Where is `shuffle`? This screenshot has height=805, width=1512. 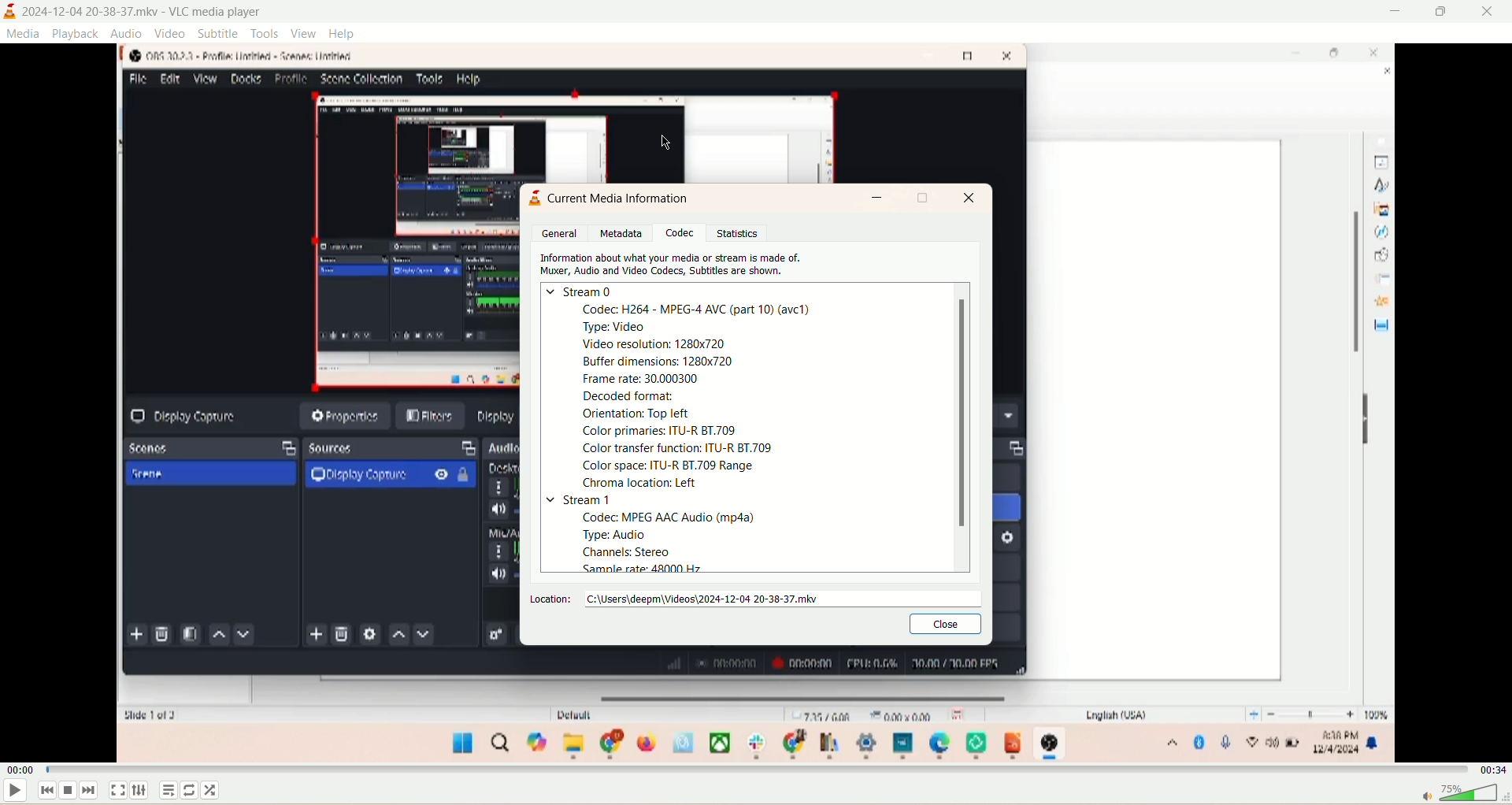
shuffle is located at coordinates (212, 789).